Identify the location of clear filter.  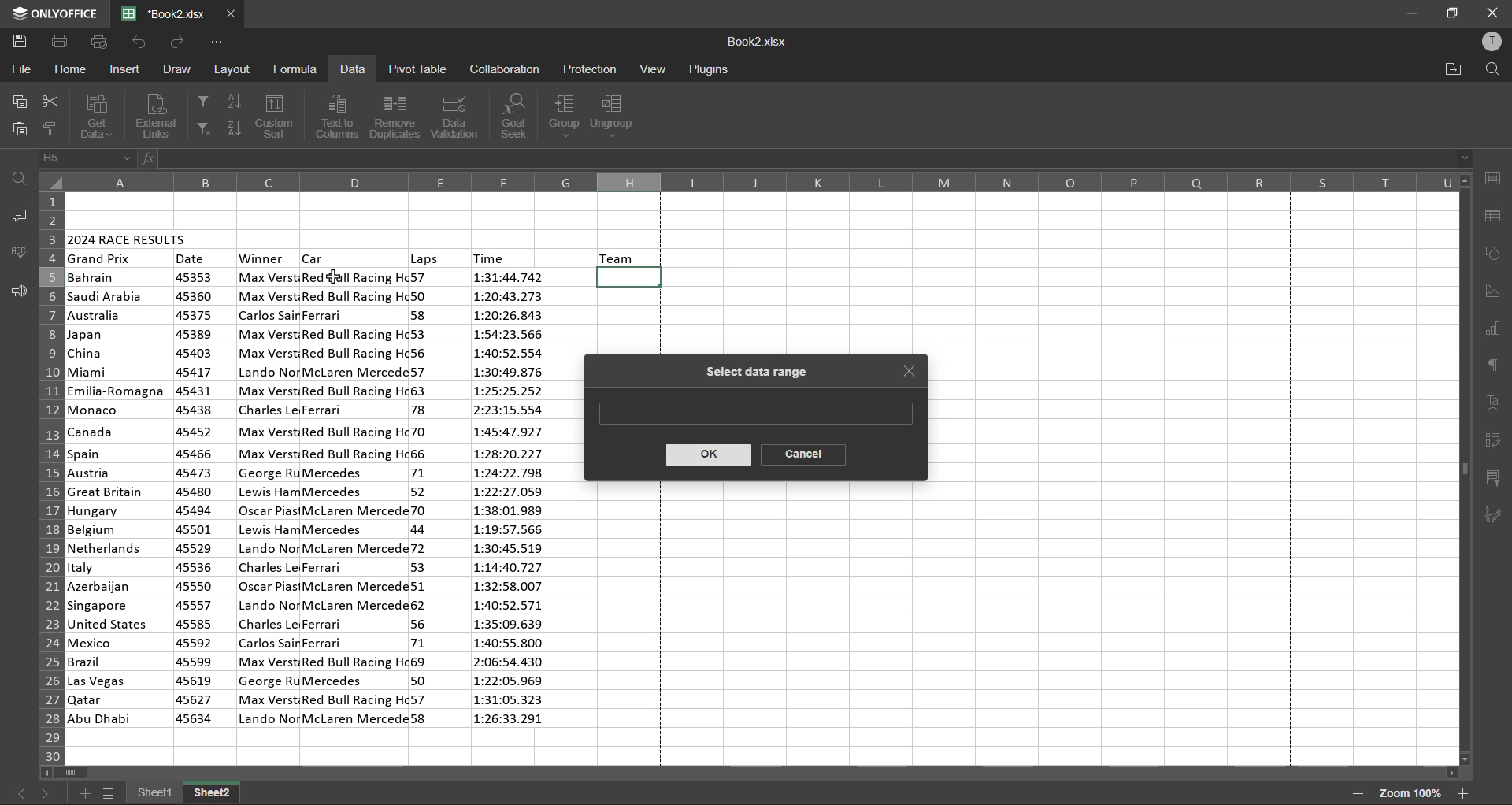
(203, 129).